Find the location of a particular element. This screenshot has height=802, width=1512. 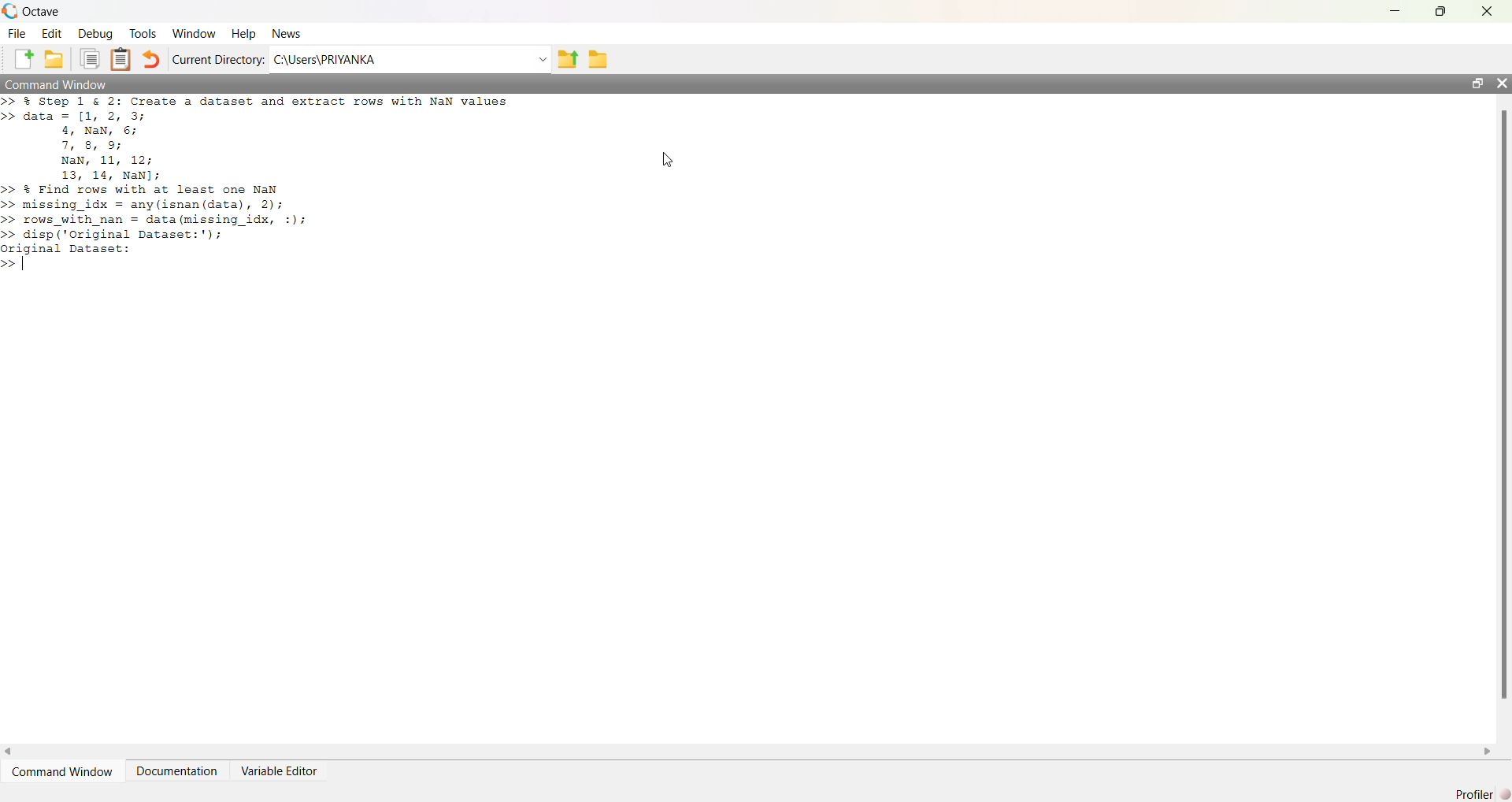

scroll right is located at coordinates (1488, 752).